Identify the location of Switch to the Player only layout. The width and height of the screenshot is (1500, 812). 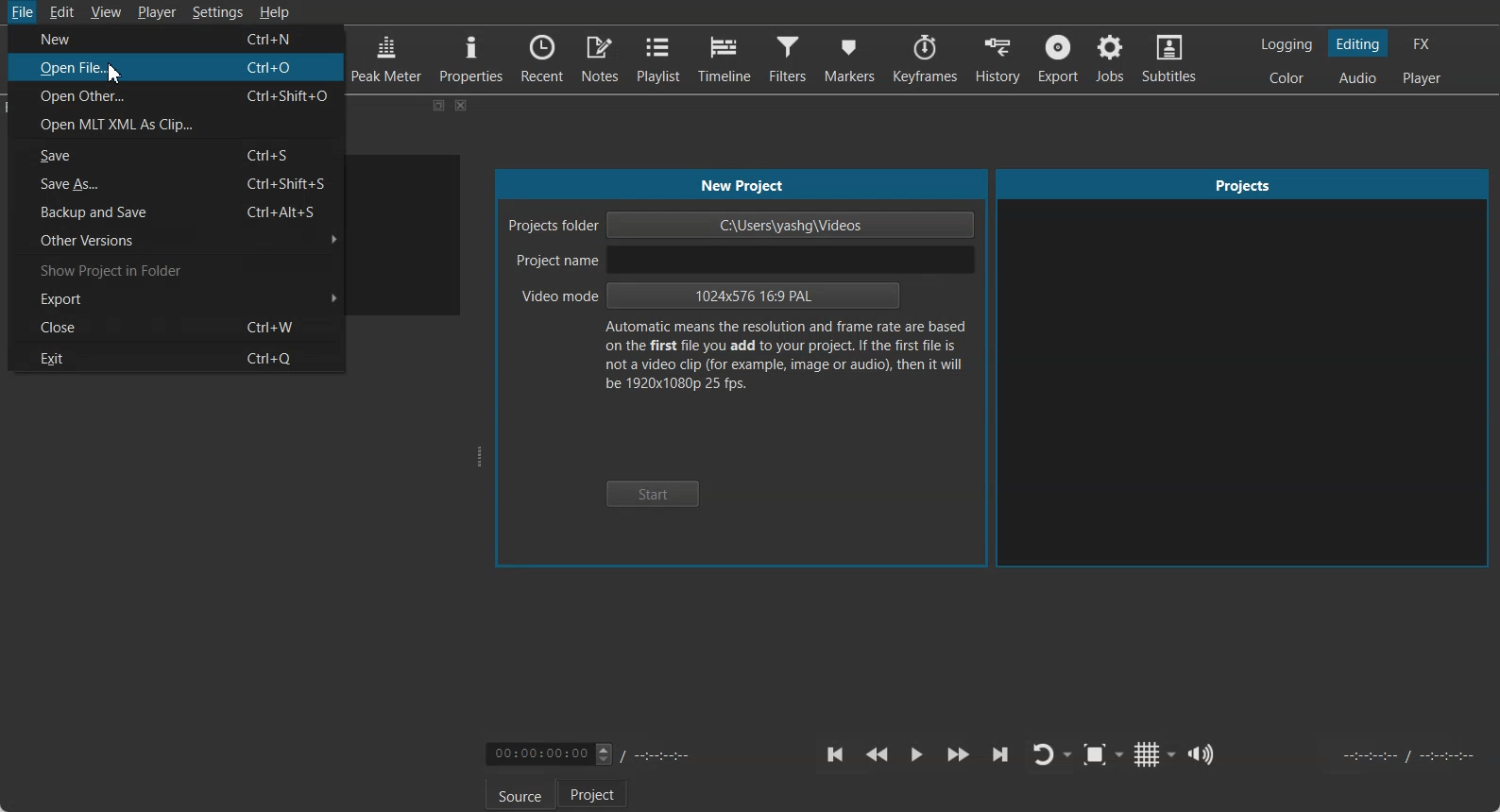
(1423, 79).